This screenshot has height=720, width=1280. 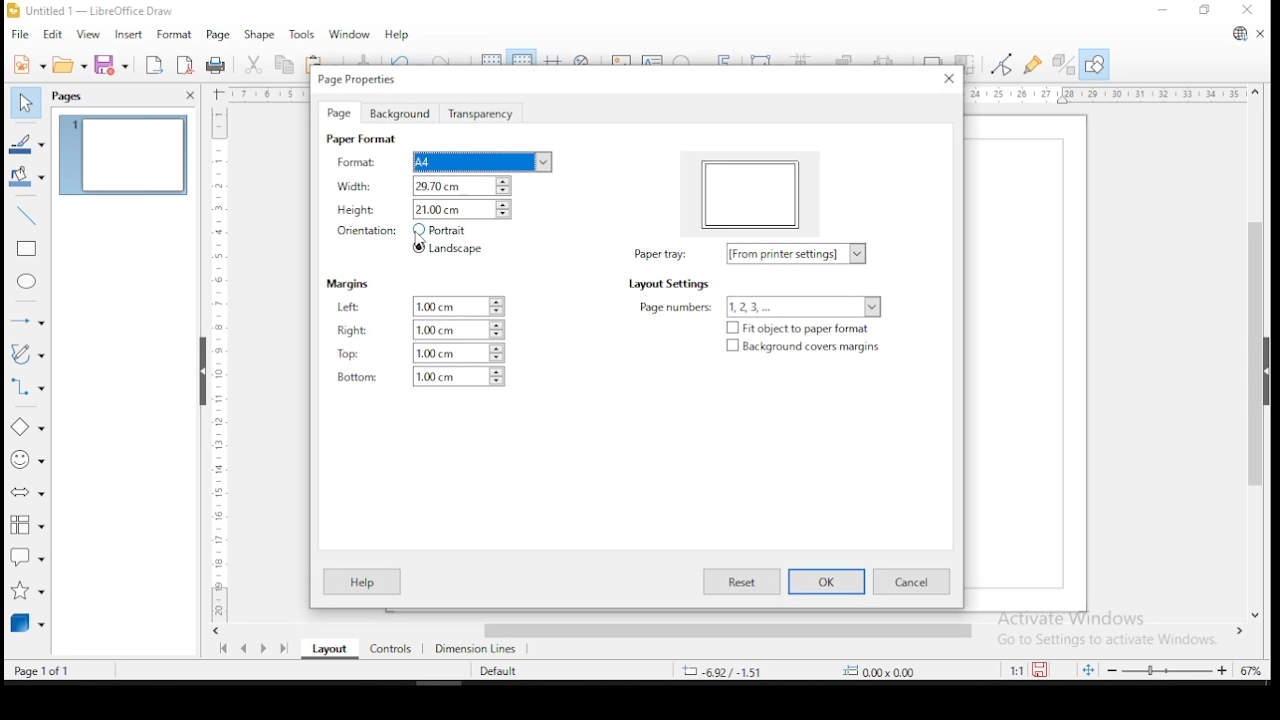 What do you see at coordinates (1090, 669) in the screenshot?
I see `fit document to window` at bounding box center [1090, 669].